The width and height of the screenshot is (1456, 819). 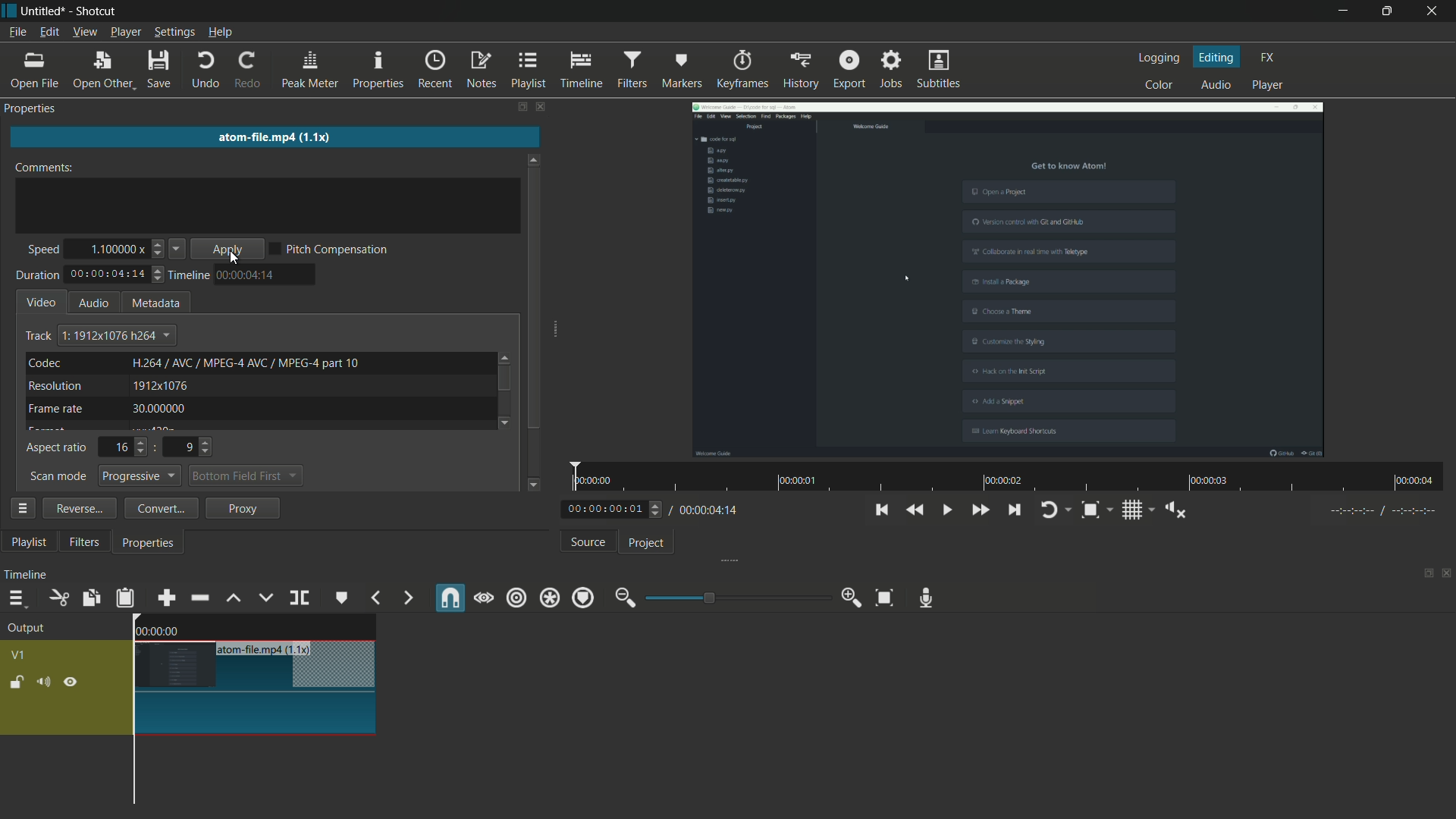 What do you see at coordinates (17, 682) in the screenshot?
I see `lock` at bounding box center [17, 682].